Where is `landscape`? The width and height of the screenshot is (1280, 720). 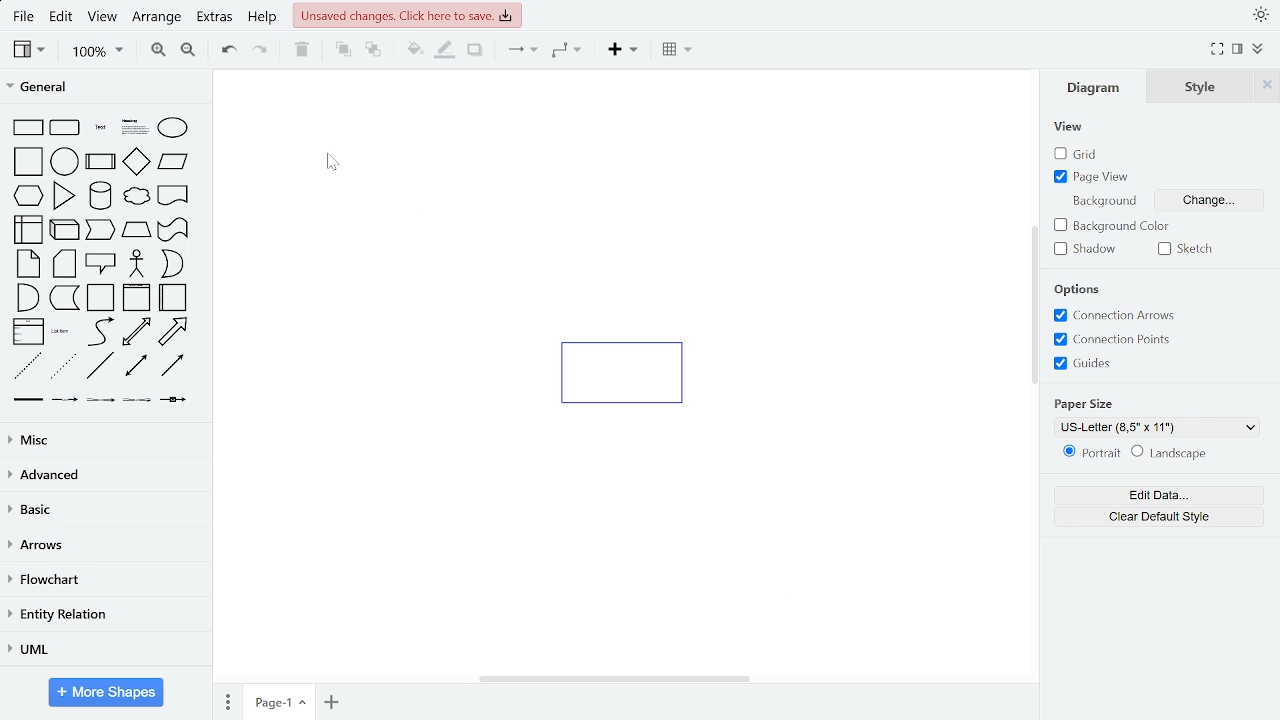 landscape is located at coordinates (1174, 454).